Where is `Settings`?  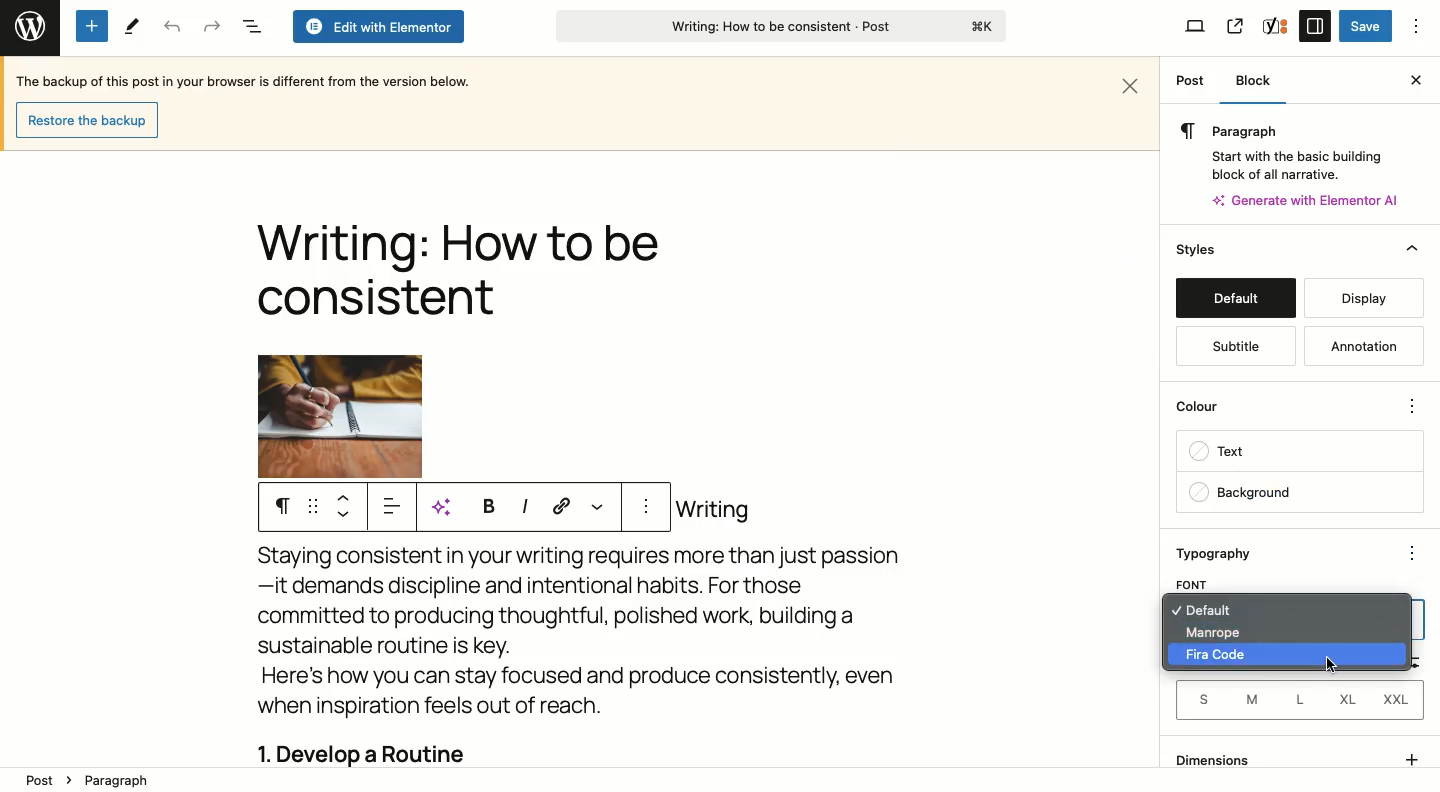 Settings is located at coordinates (1314, 25).